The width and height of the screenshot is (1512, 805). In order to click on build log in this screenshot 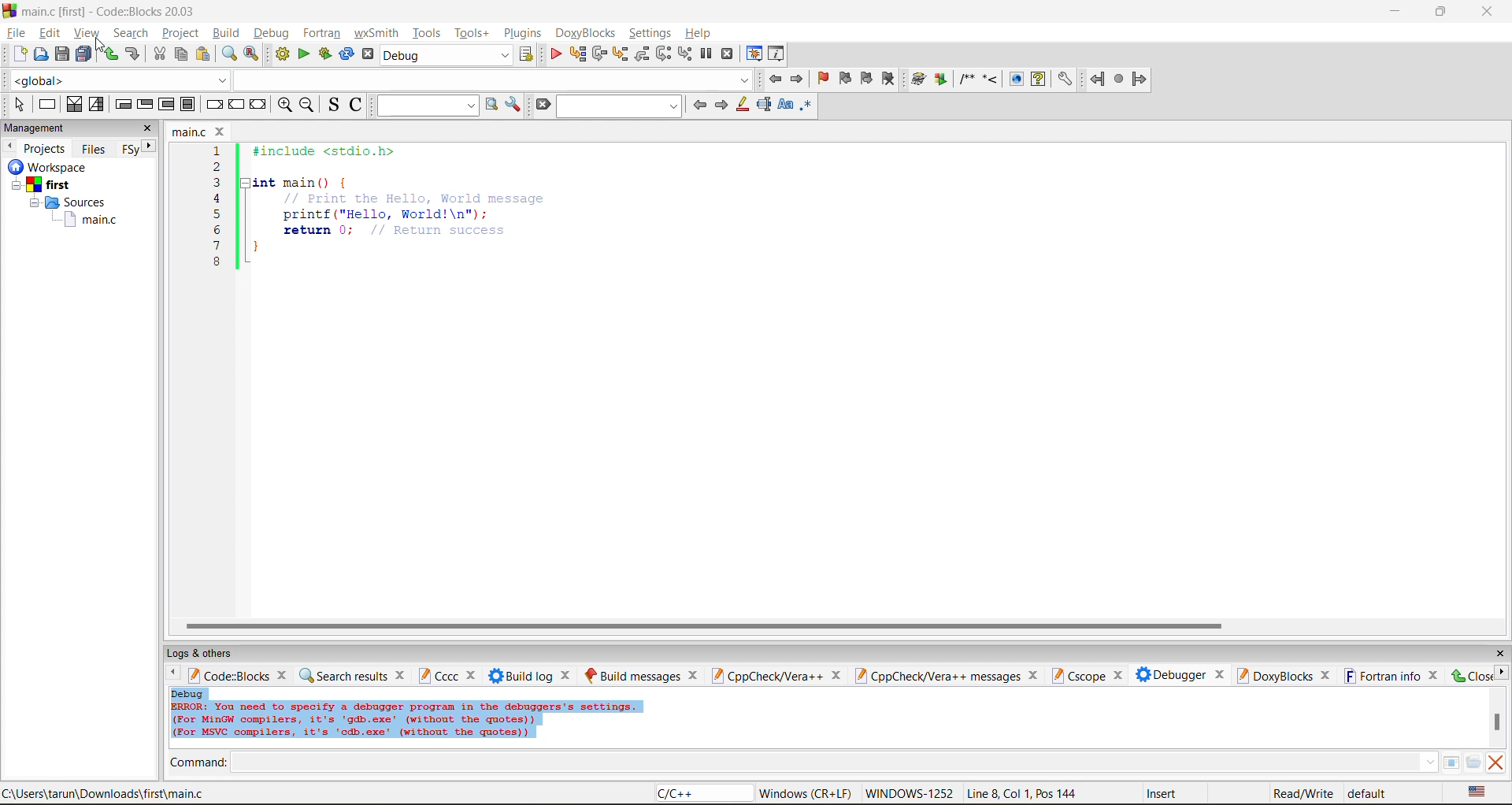, I will do `click(531, 675)`.